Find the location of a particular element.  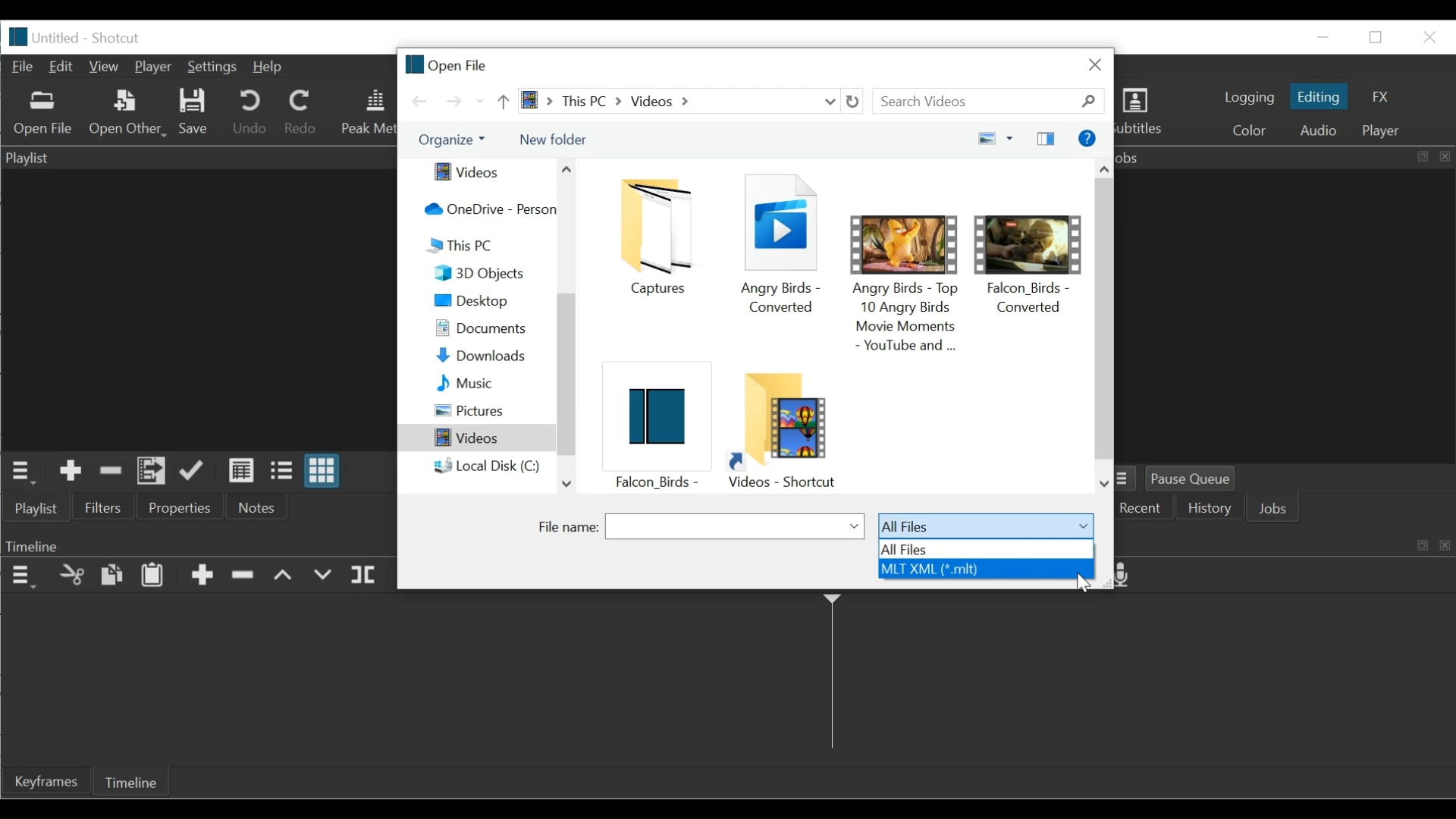

Help is located at coordinates (267, 68).